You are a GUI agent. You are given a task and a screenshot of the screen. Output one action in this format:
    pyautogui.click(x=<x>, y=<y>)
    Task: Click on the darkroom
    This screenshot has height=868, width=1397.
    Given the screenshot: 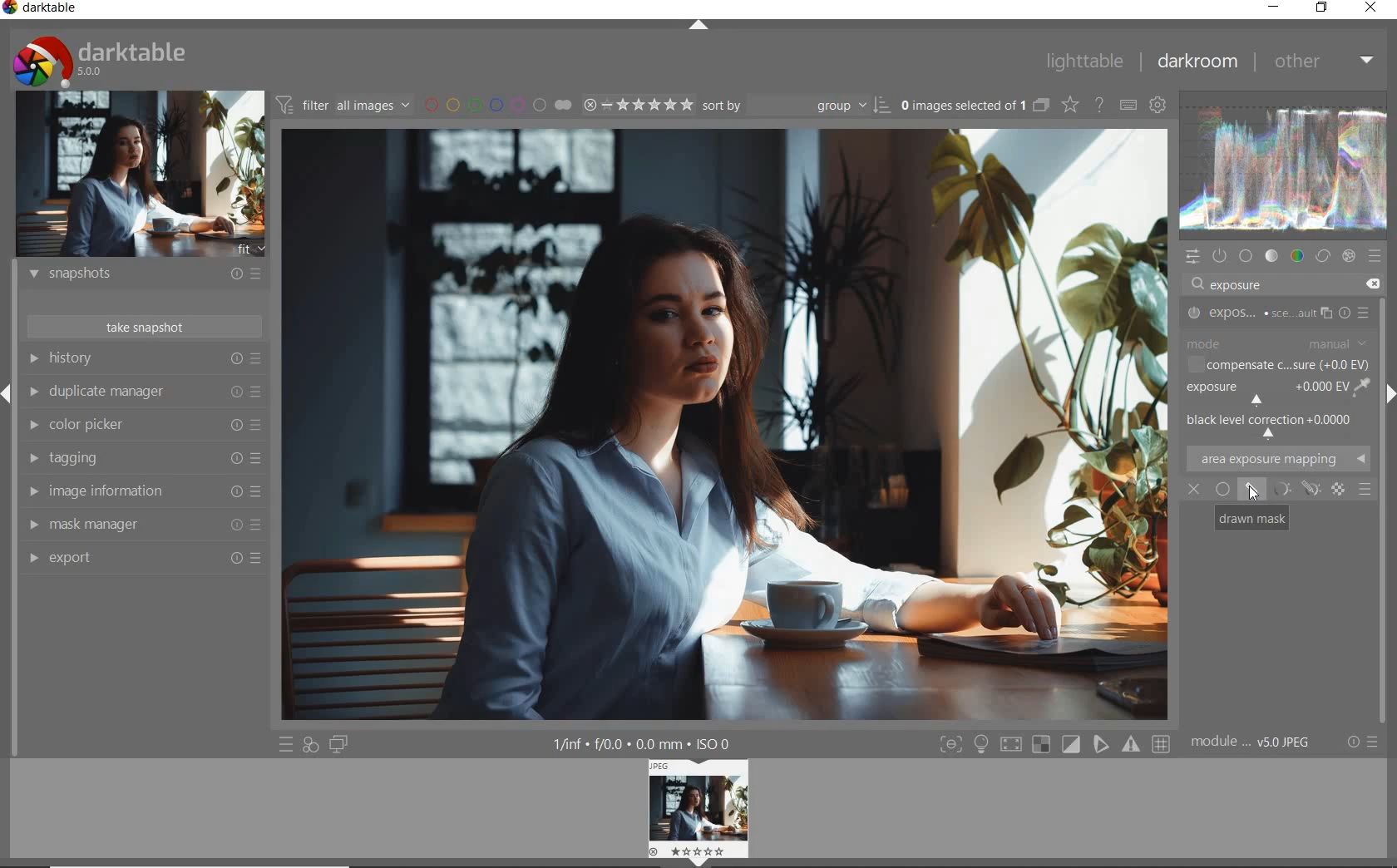 What is the action you would take?
    pyautogui.click(x=1197, y=62)
    